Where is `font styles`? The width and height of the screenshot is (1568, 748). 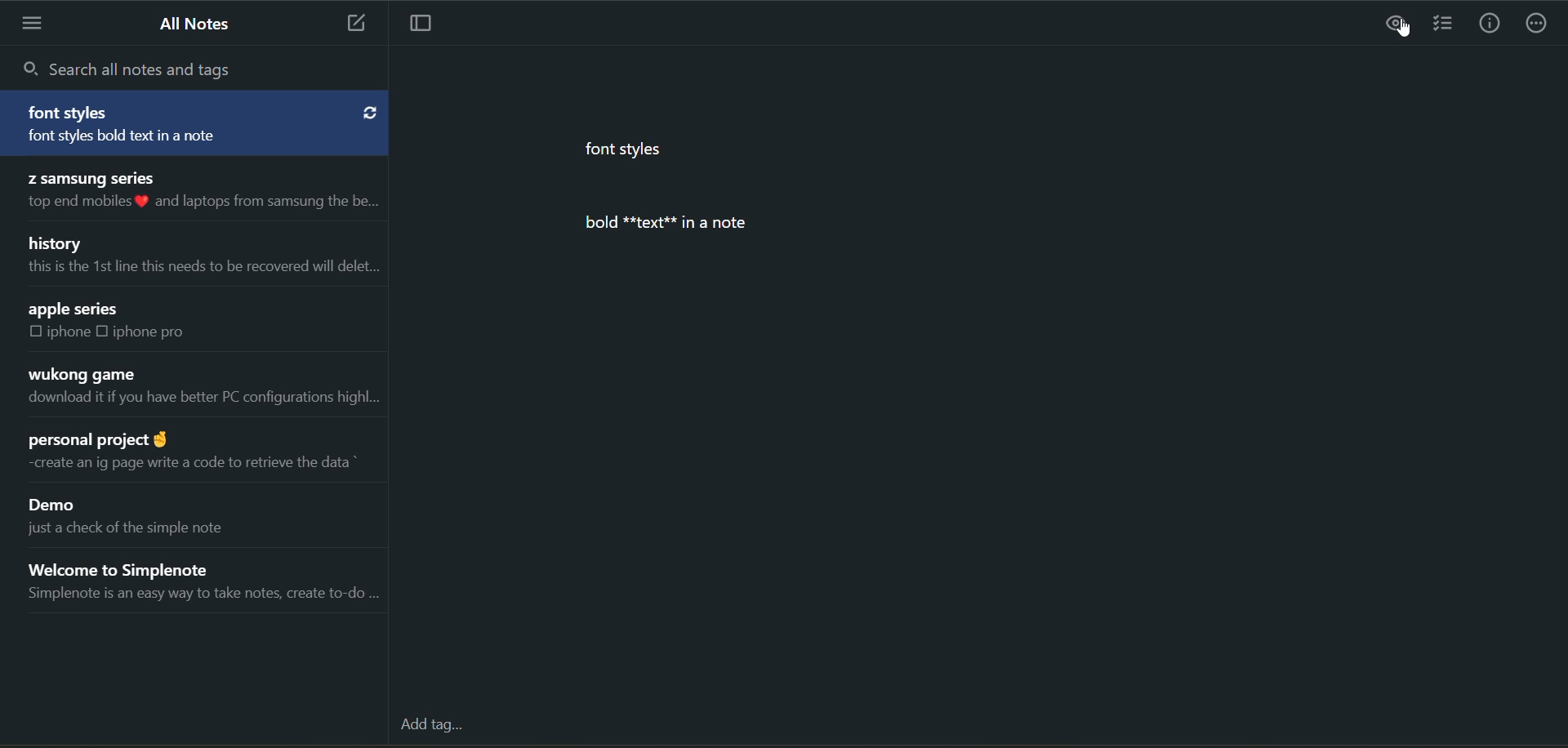 font styles is located at coordinates (630, 154).